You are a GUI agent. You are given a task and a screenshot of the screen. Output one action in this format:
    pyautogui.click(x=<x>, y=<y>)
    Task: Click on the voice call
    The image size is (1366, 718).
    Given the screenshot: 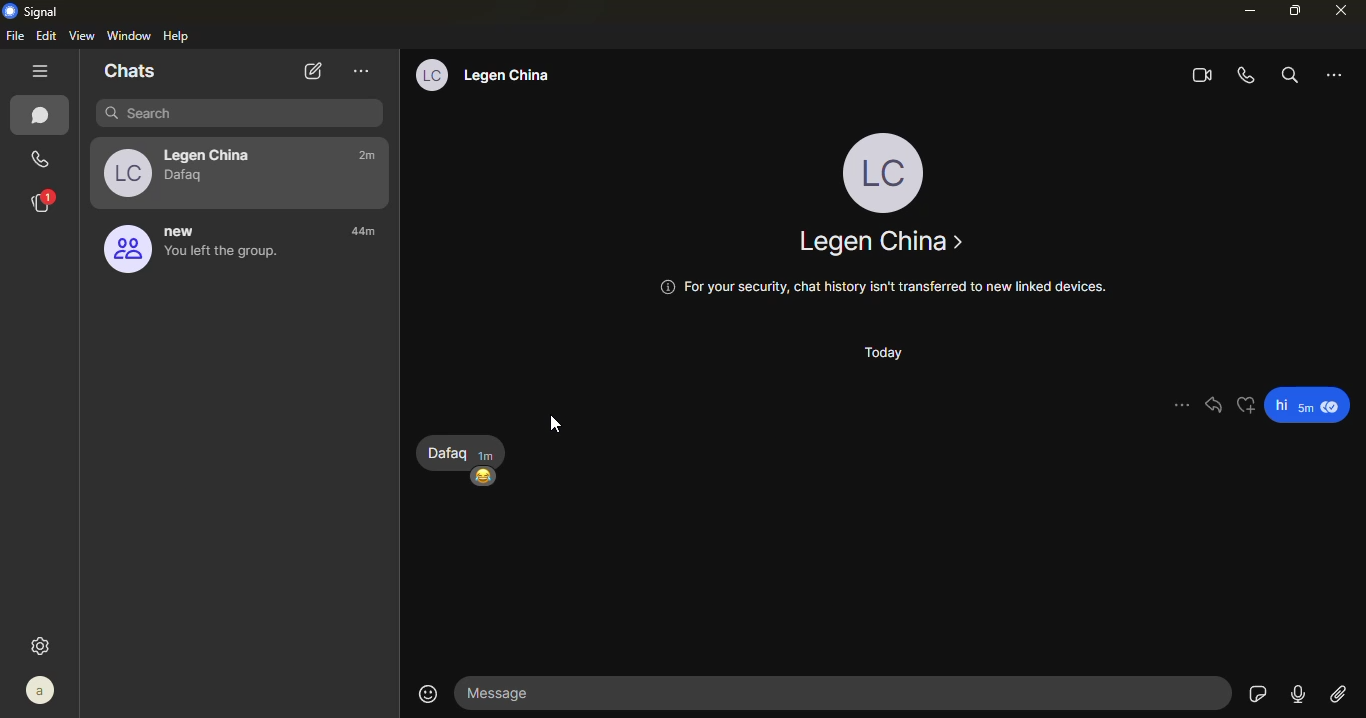 What is the action you would take?
    pyautogui.click(x=1247, y=76)
    